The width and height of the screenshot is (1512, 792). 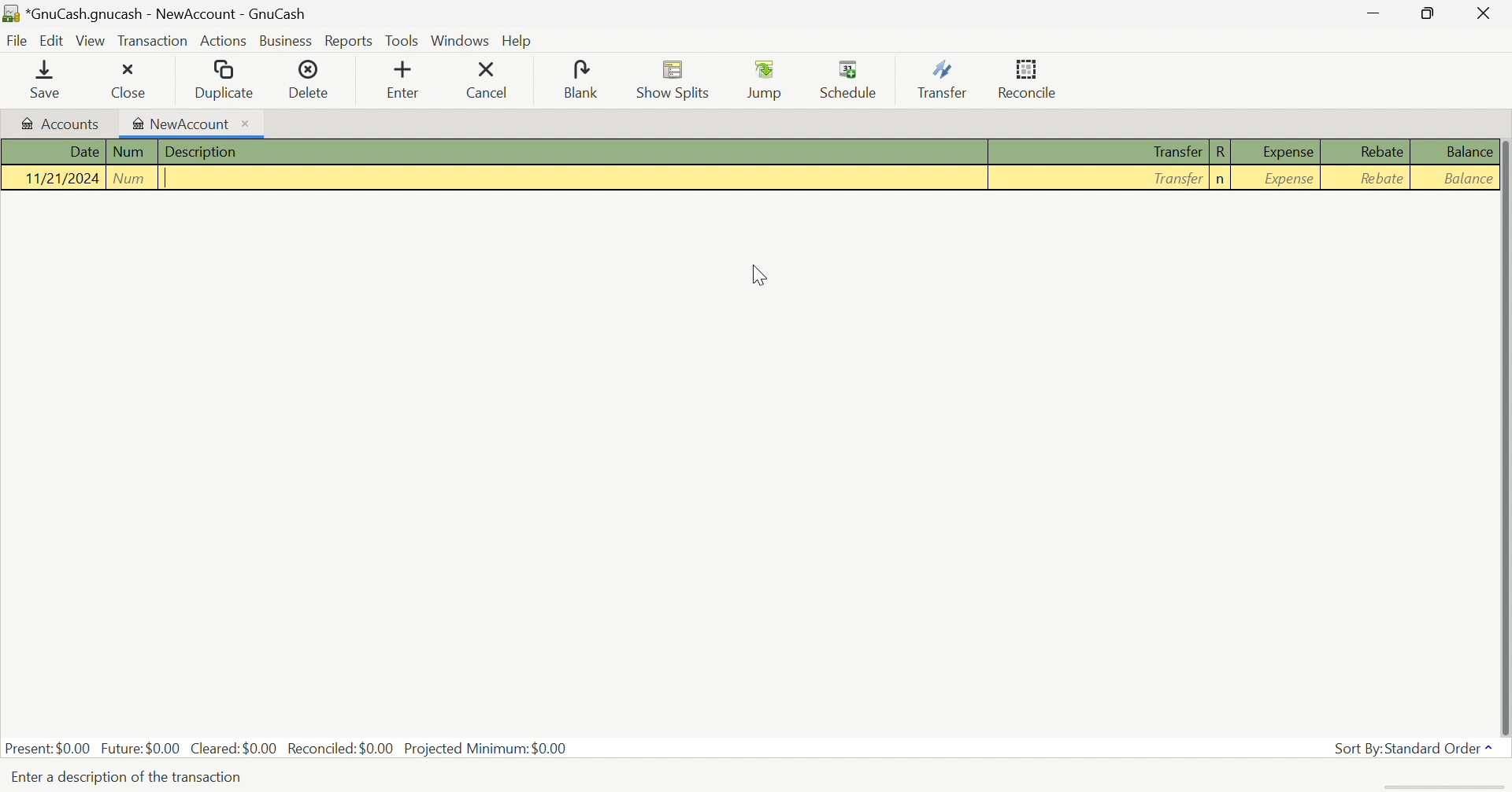 What do you see at coordinates (131, 178) in the screenshot?
I see `Num` at bounding box center [131, 178].